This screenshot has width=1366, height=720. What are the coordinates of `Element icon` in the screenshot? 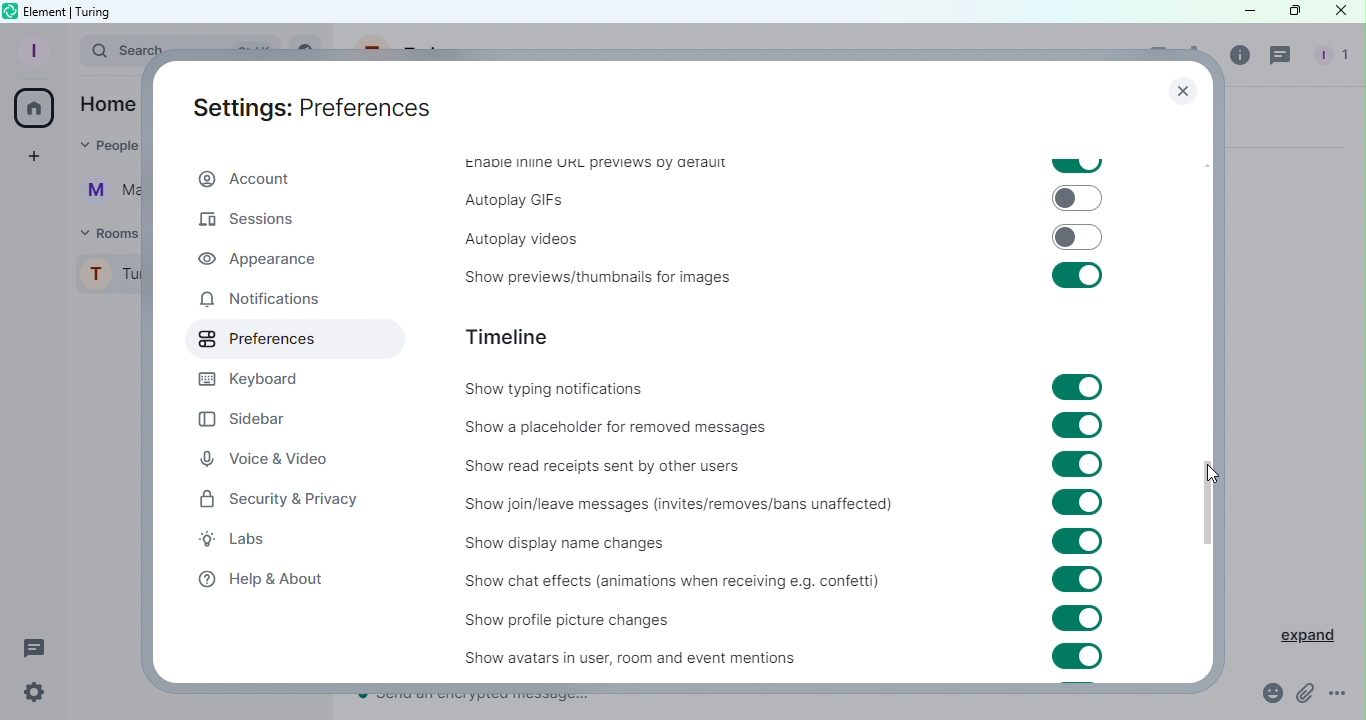 It's located at (9, 11).